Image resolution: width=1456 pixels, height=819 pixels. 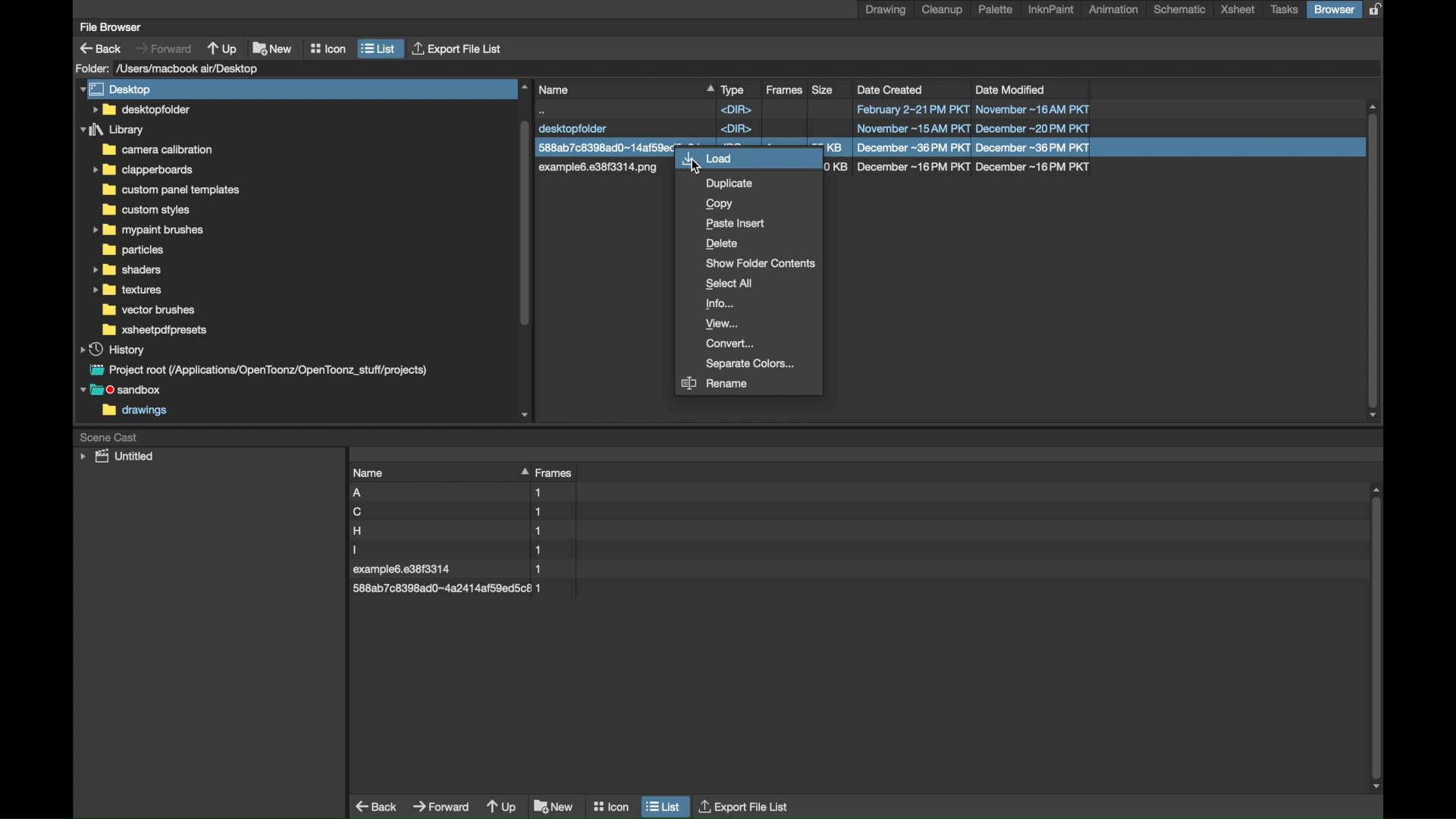 What do you see at coordinates (554, 806) in the screenshot?
I see `new` at bounding box center [554, 806].